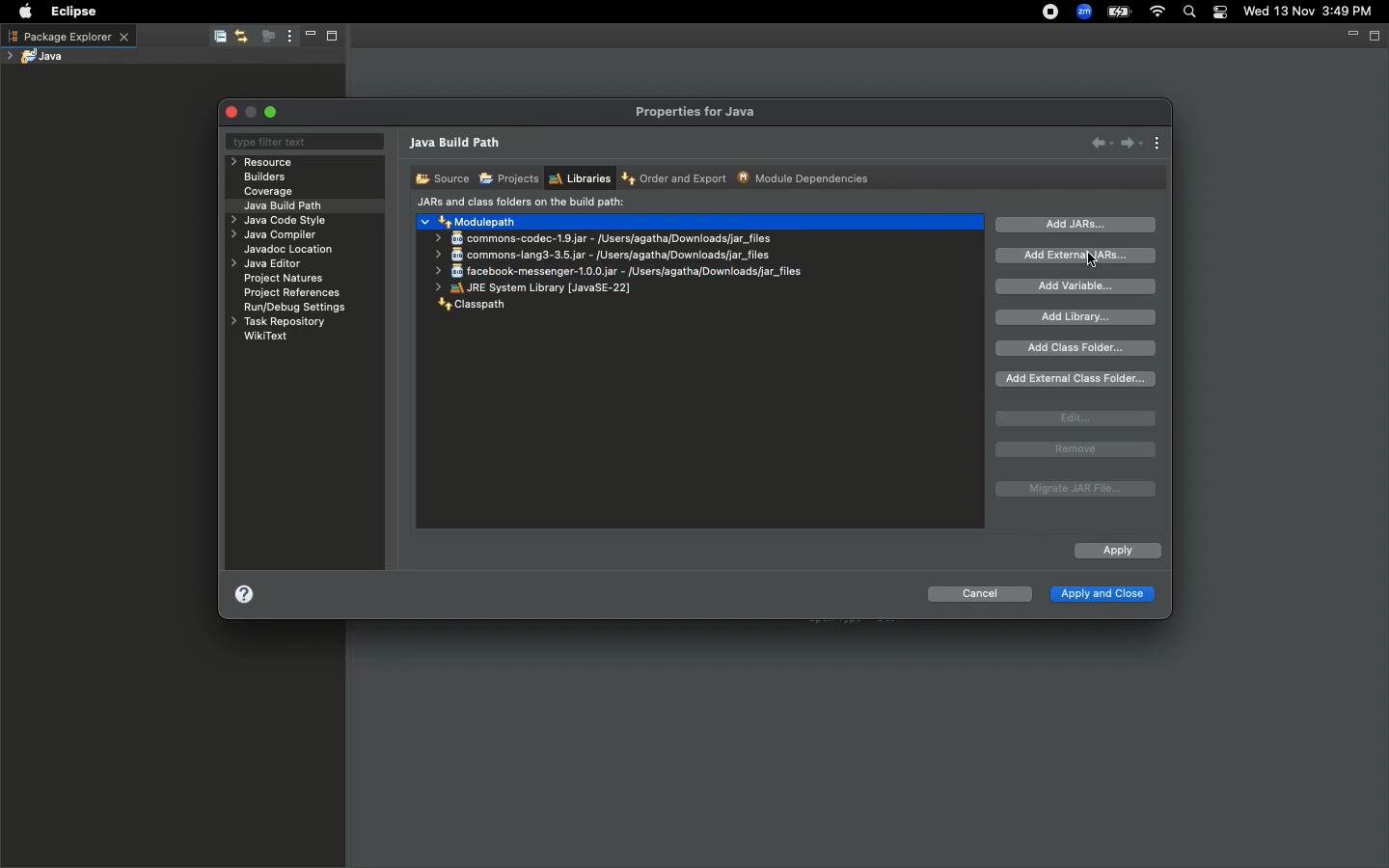 This screenshot has width=1389, height=868. Describe the element at coordinates (273, 112) in the screenshot. I see `Maximize` at that location.